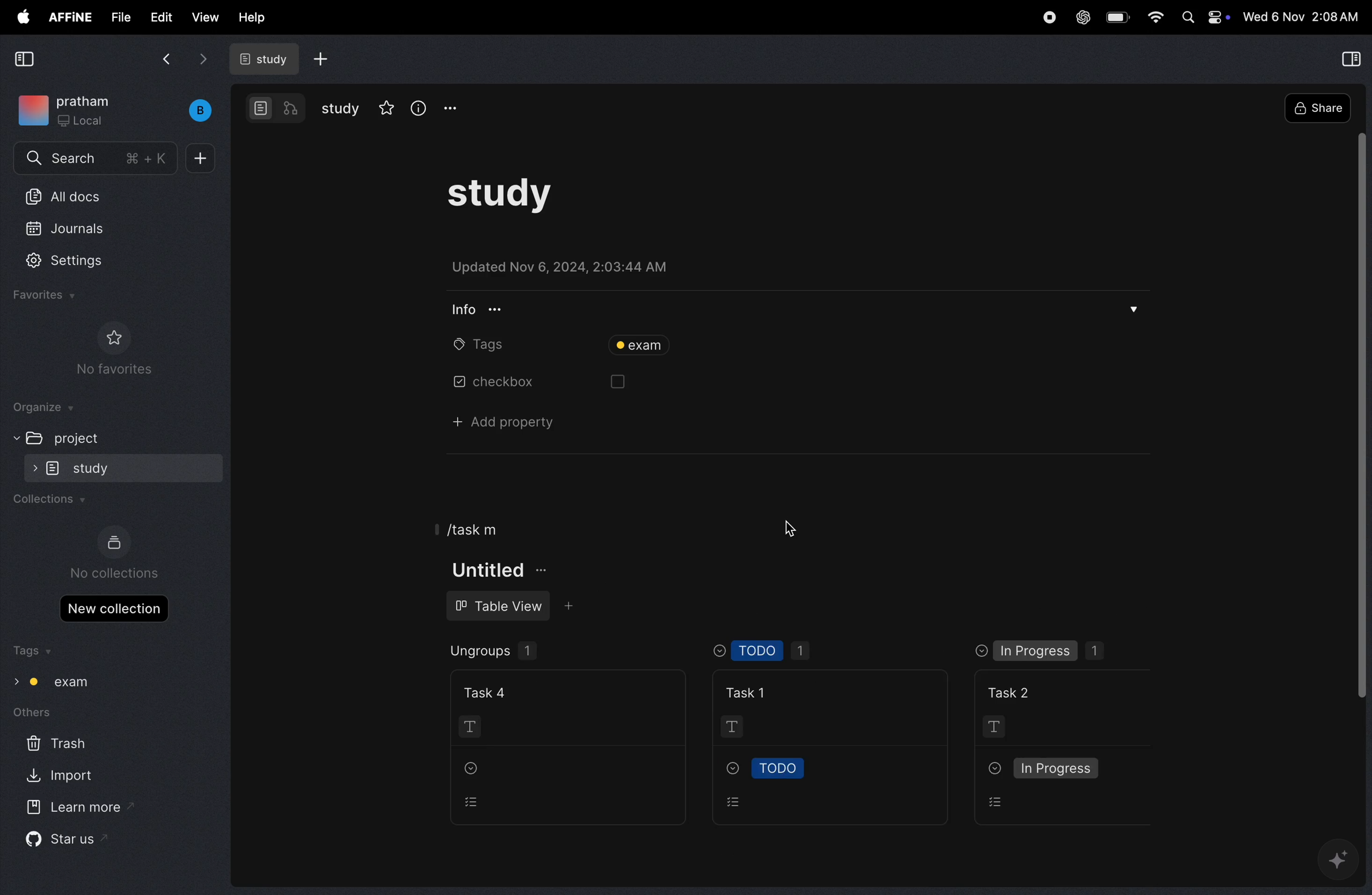 The image size is (1372, 895). Describe the element at coordinates (50, 501) in the screenshot. I see `collections` at that location.